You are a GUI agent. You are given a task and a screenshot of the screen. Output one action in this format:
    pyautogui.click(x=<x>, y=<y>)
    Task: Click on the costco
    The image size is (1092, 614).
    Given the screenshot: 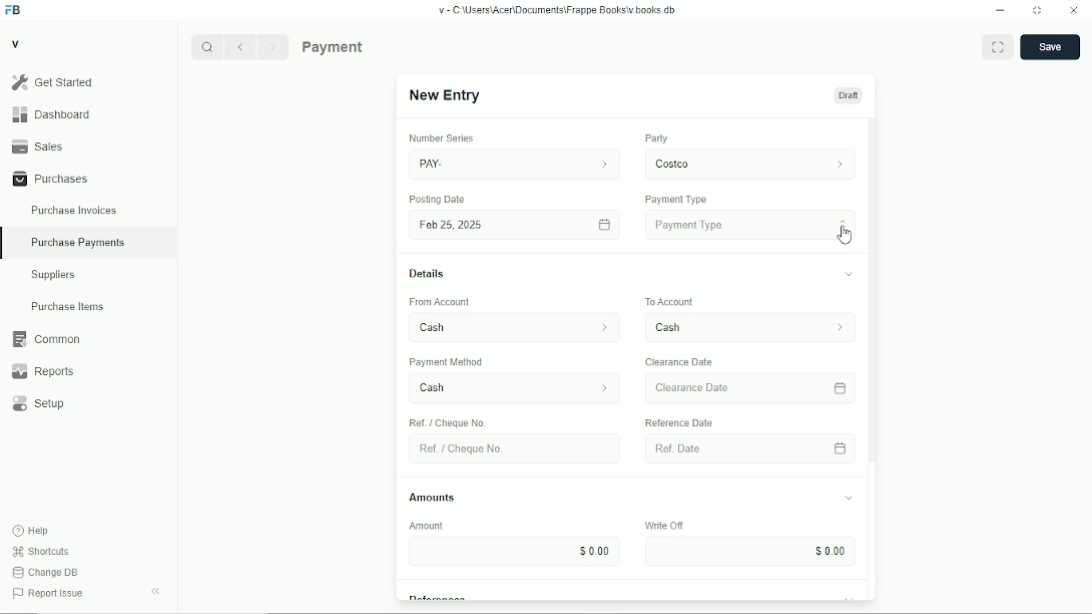 What is the action you would take?
    pyautogui.click(x=751, y=162)
    